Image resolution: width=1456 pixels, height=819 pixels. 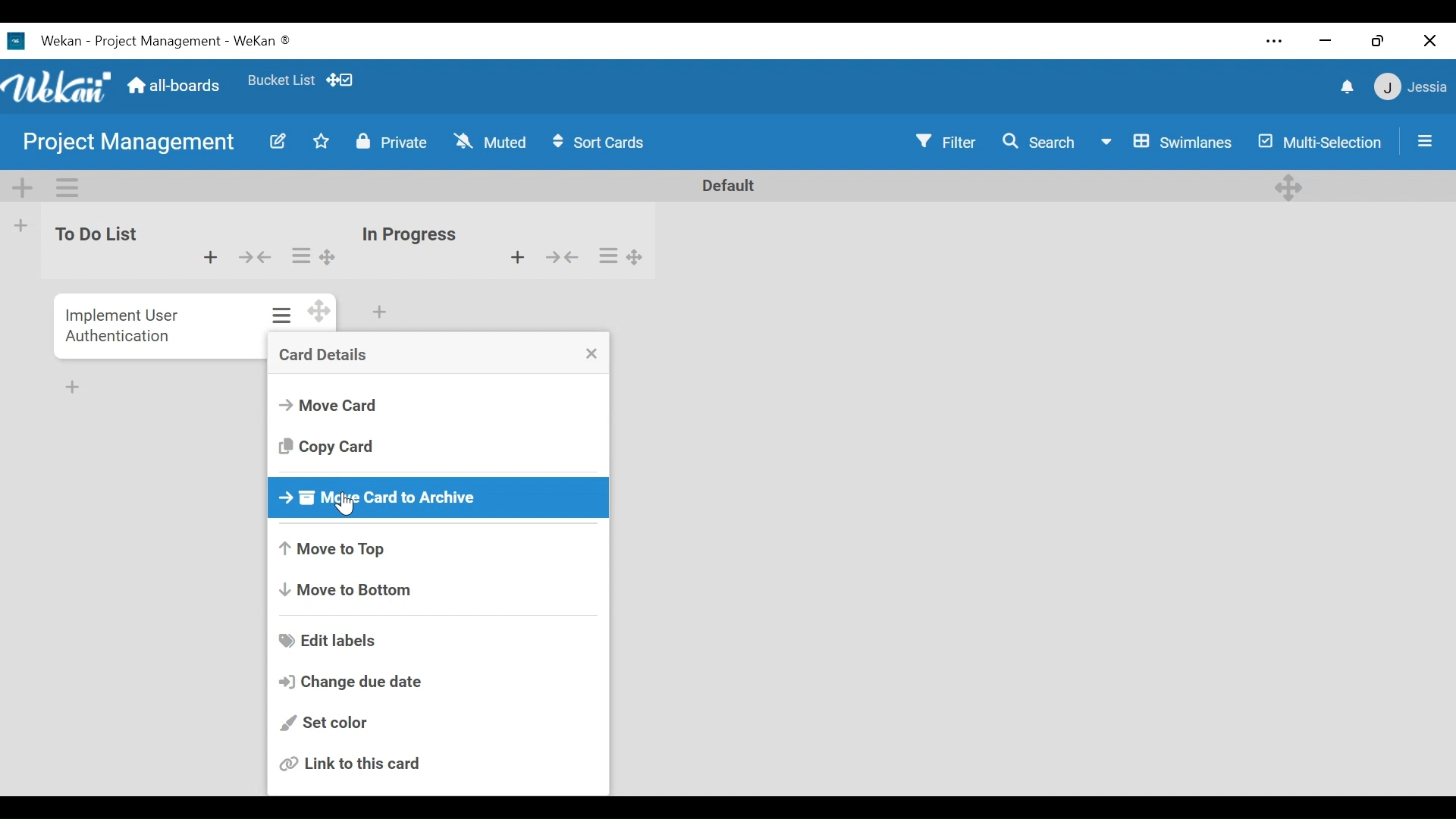 I want to click on Add card bottom of list, so click(x=381, y=312).